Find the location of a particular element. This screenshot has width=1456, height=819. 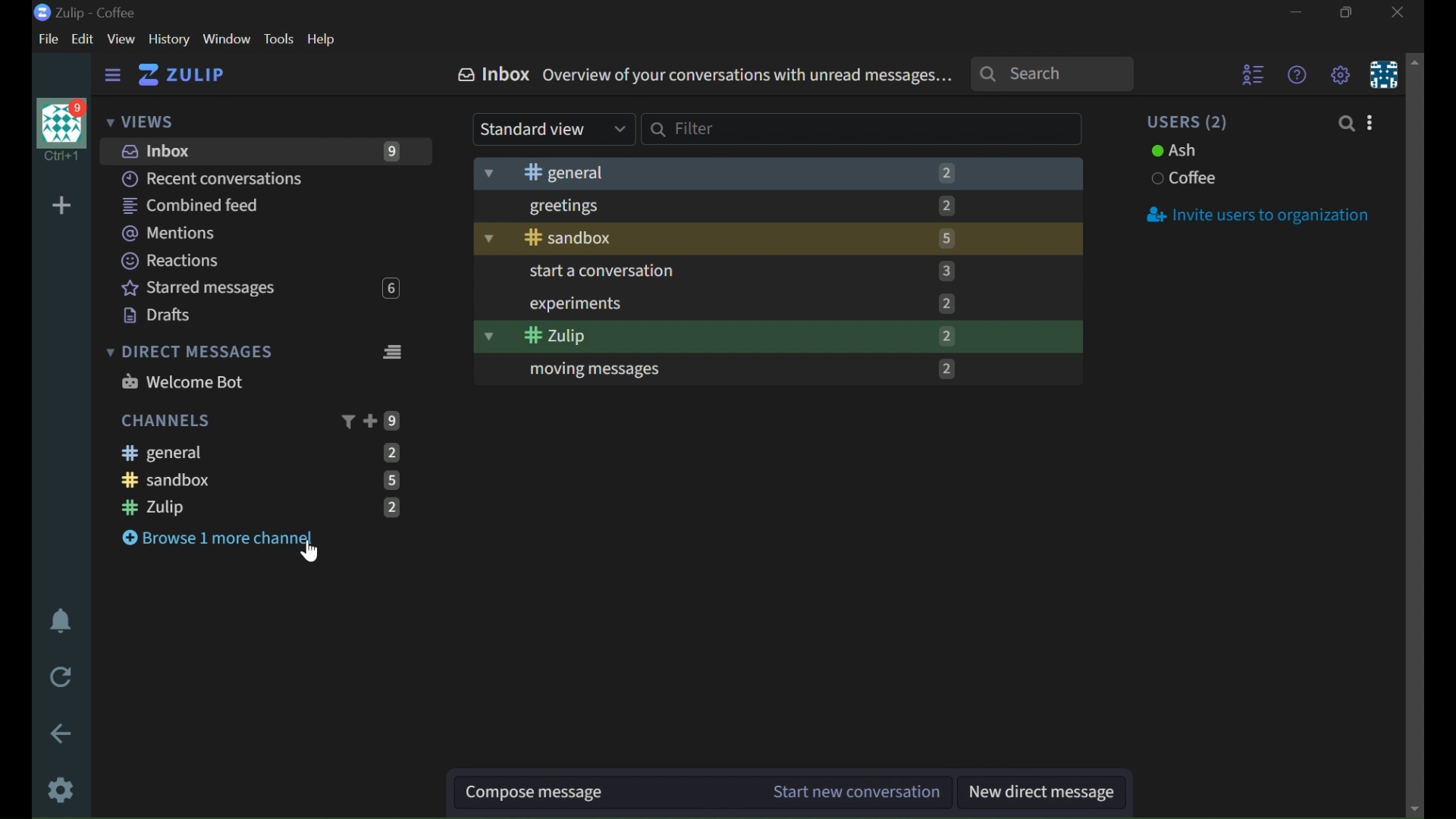

SHOW USER LIVE is located at coordinates (1254, 71).